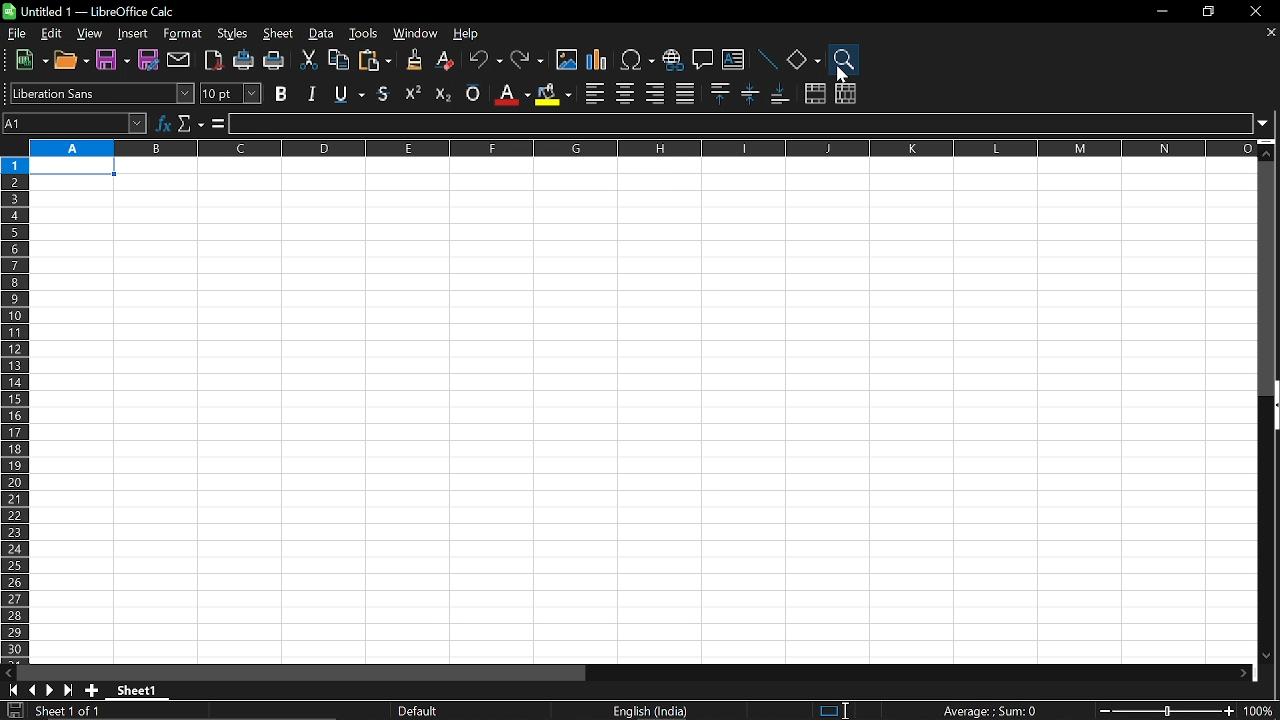  Describe the element at coordinates (244, 62) in the screenshot. I see `print directly` at that location.